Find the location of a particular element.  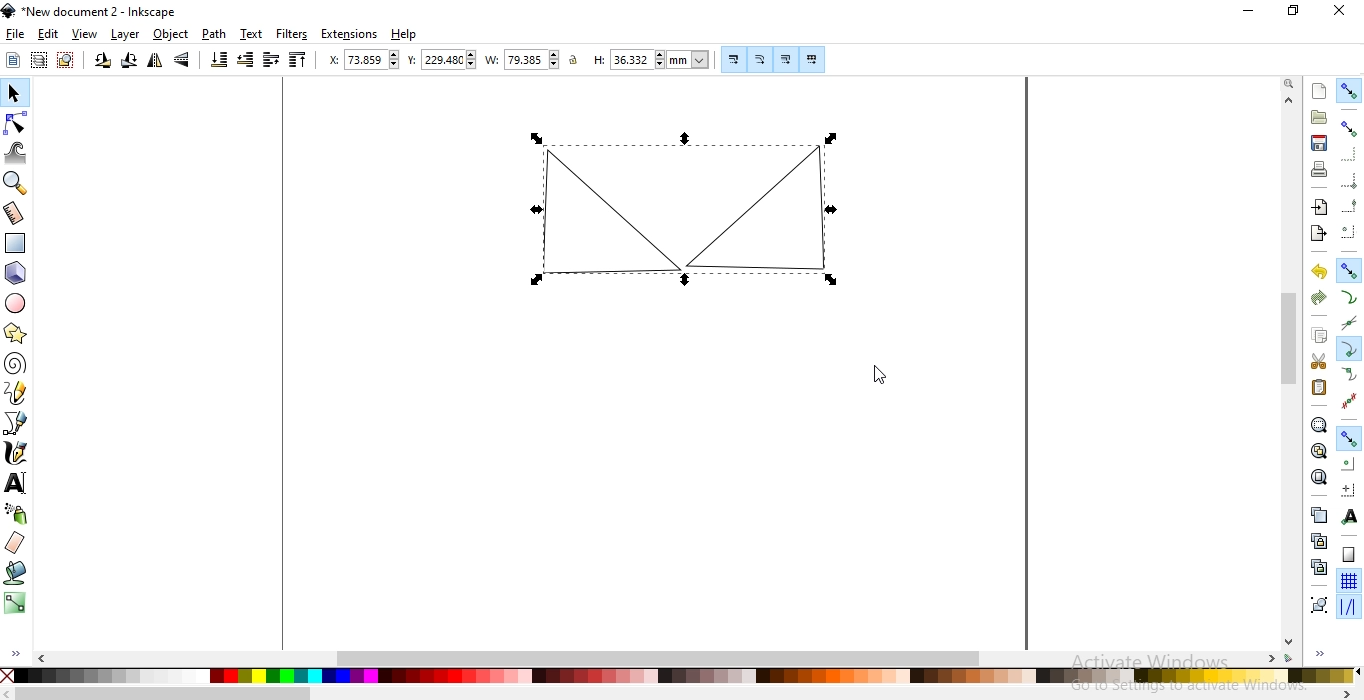

snap to page border is located at coordinates (1349, 555).